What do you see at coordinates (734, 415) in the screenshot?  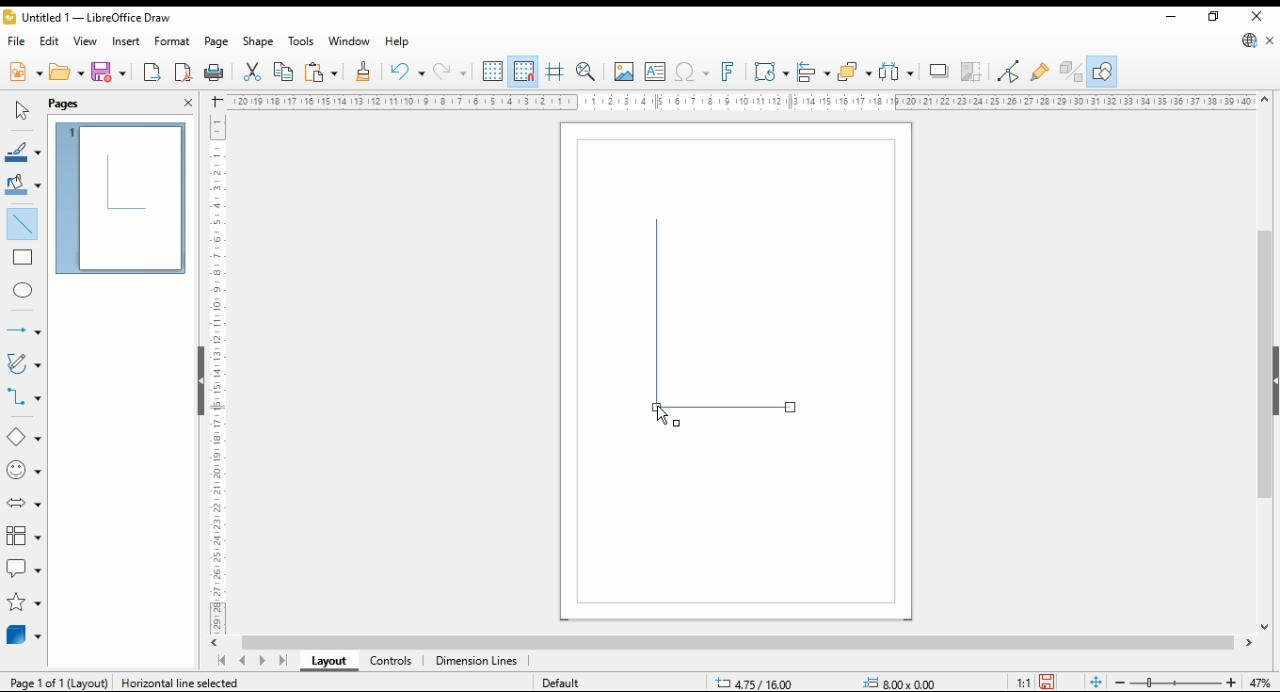 I see `line shape` at bounding box center [734, 415].